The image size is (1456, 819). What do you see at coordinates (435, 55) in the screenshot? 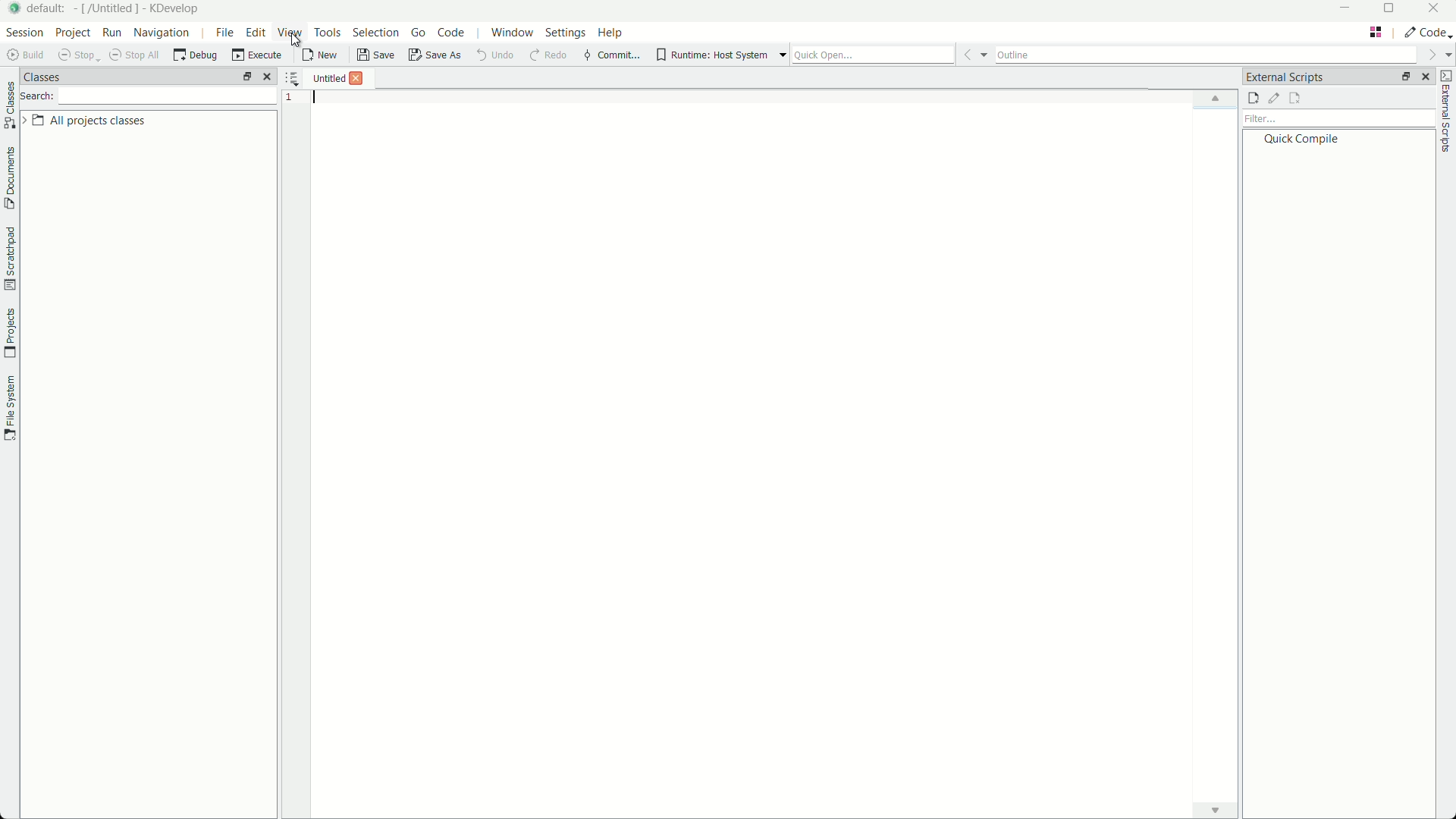
I see `save as` at bounding box center [435, 55].